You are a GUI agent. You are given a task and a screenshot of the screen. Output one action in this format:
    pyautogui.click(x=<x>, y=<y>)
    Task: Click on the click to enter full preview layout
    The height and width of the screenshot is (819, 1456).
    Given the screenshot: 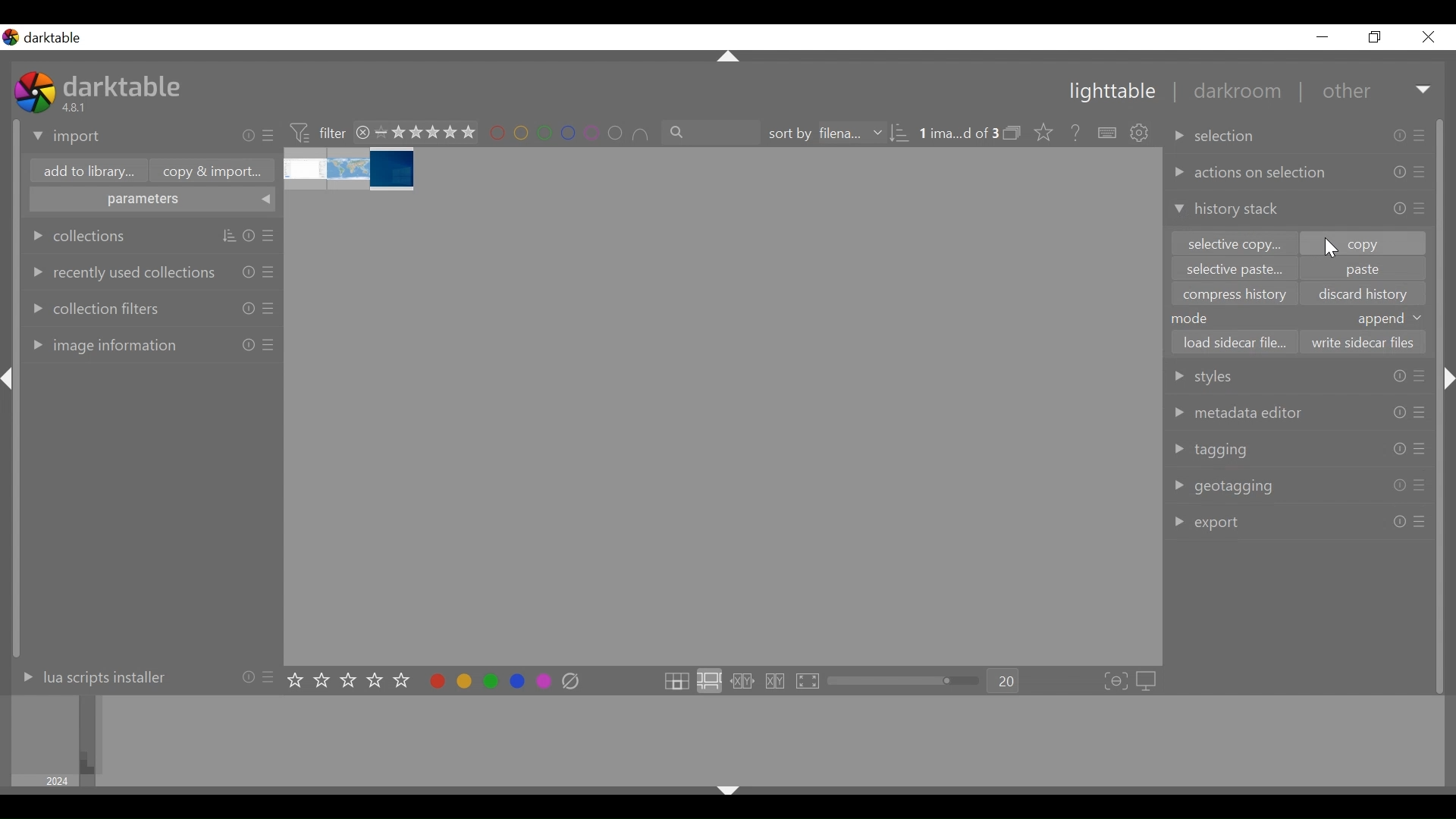 What is the action you would take?
    pyautogui.click(x=809, y=682)
    